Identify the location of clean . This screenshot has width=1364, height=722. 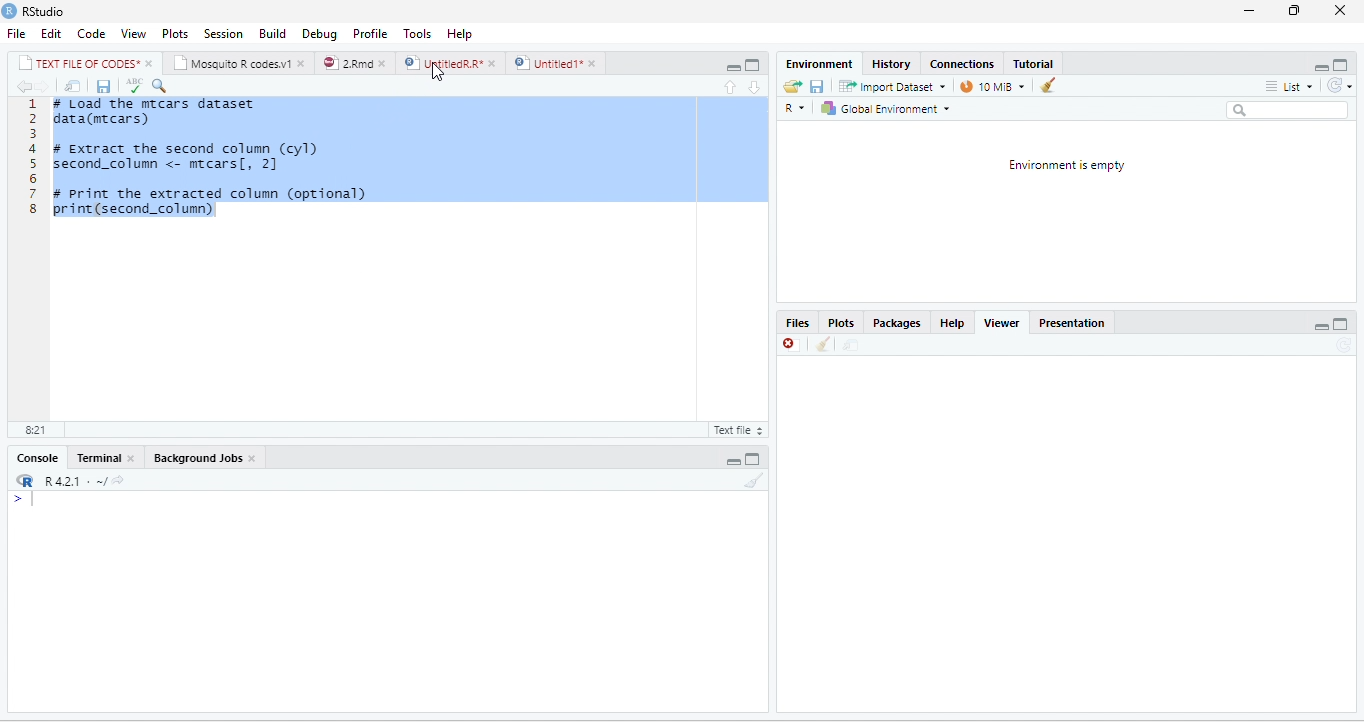
(823, 346).